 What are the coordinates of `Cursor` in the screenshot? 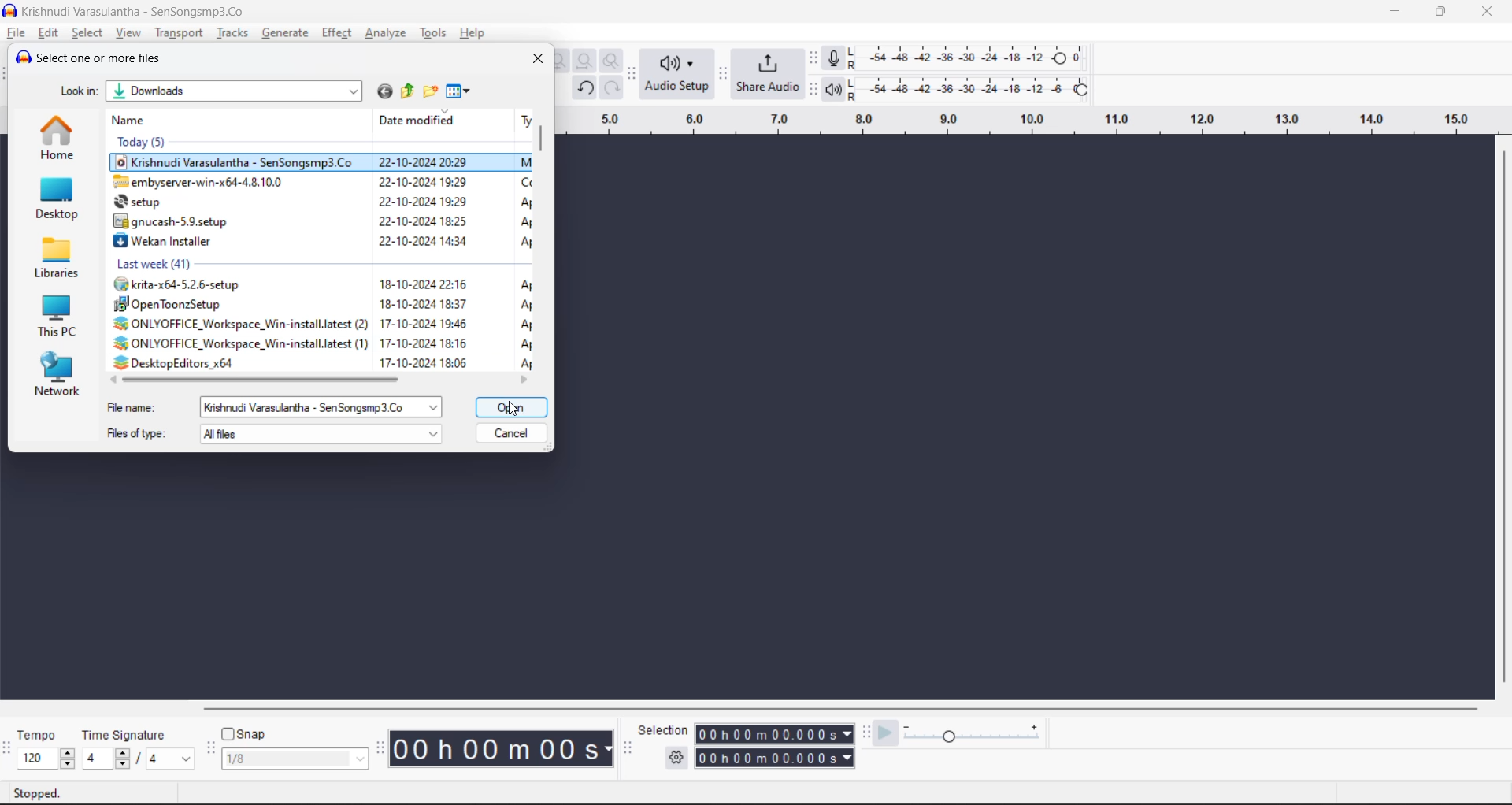 It's located at (512, 408).